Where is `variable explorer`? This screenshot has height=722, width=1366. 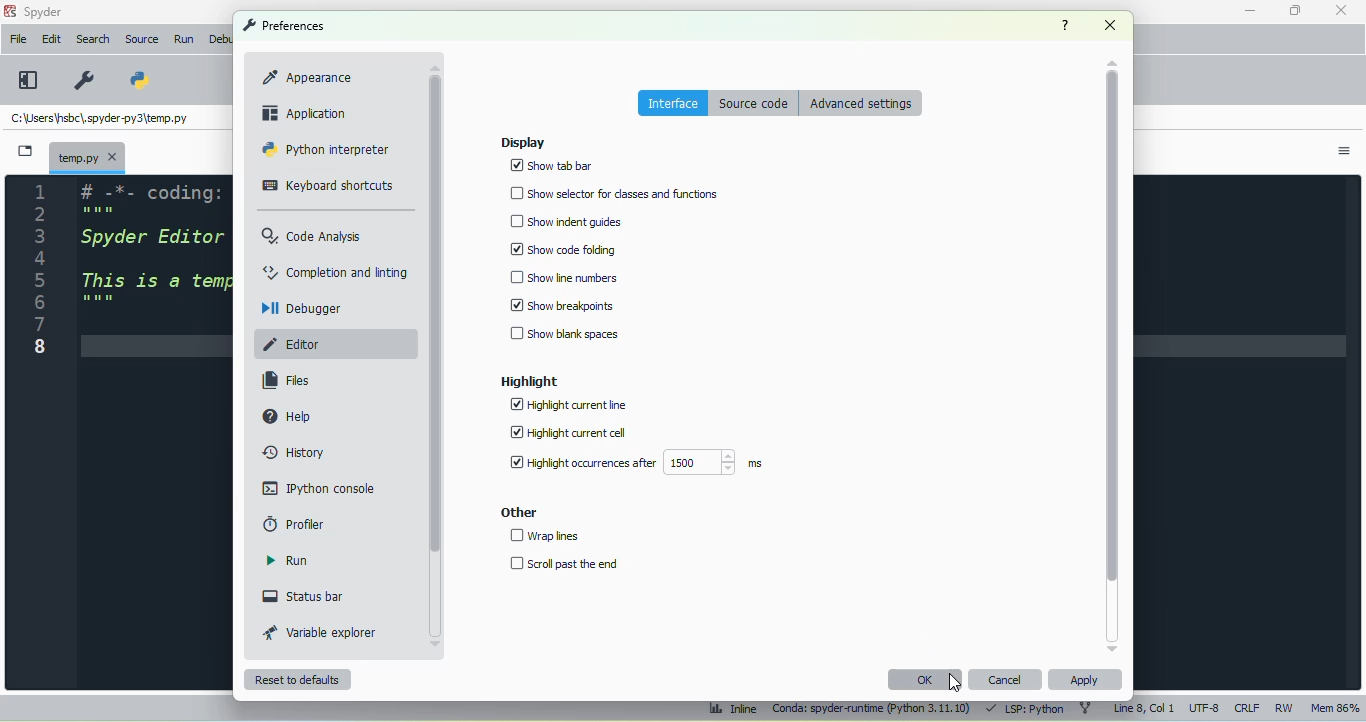
variable explorer is located at coordinates (321, 632).